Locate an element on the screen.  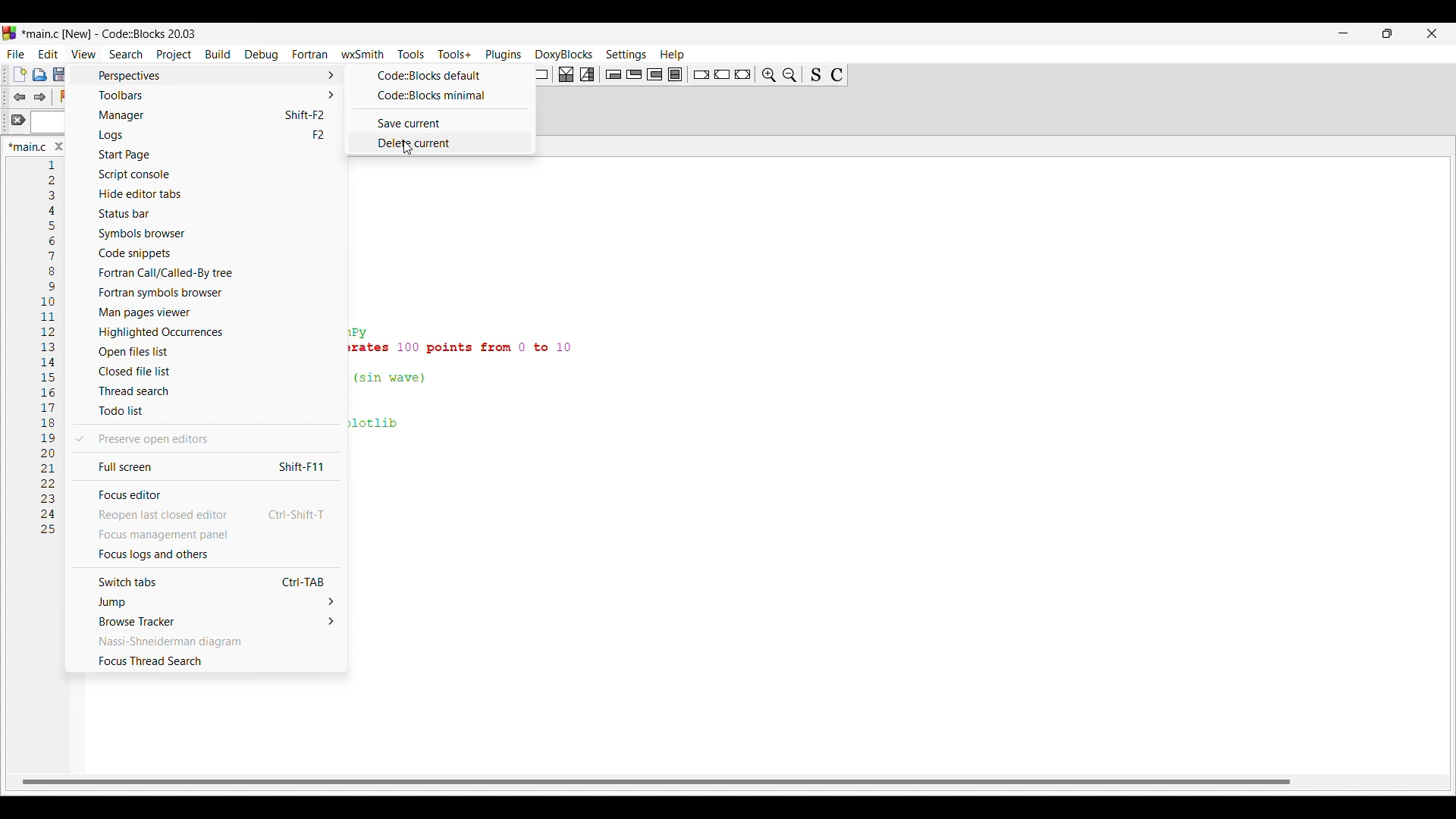
Instruction is located at coordinates (538, 74).